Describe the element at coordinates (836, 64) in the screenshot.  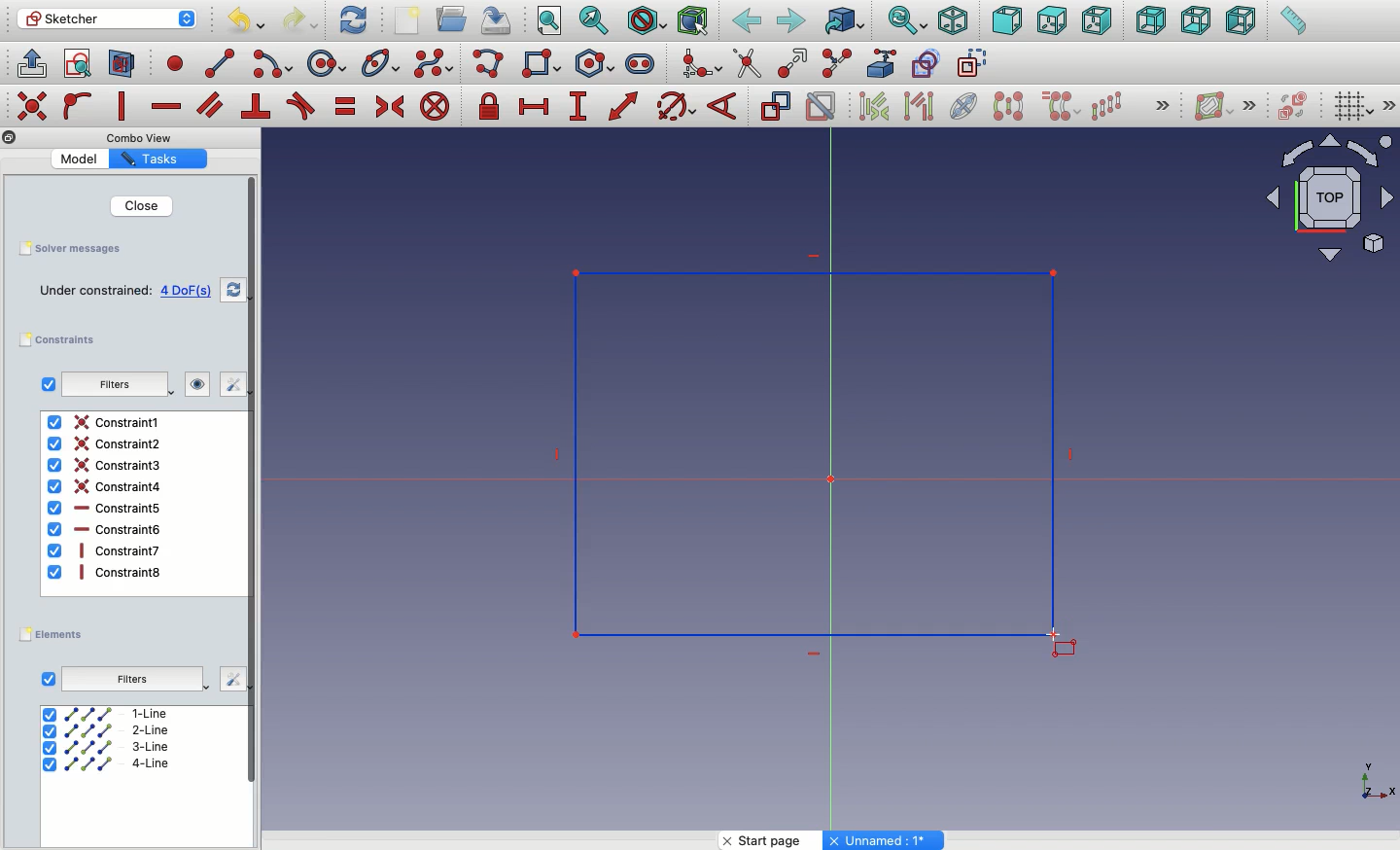
I see `Split edge` at that location.